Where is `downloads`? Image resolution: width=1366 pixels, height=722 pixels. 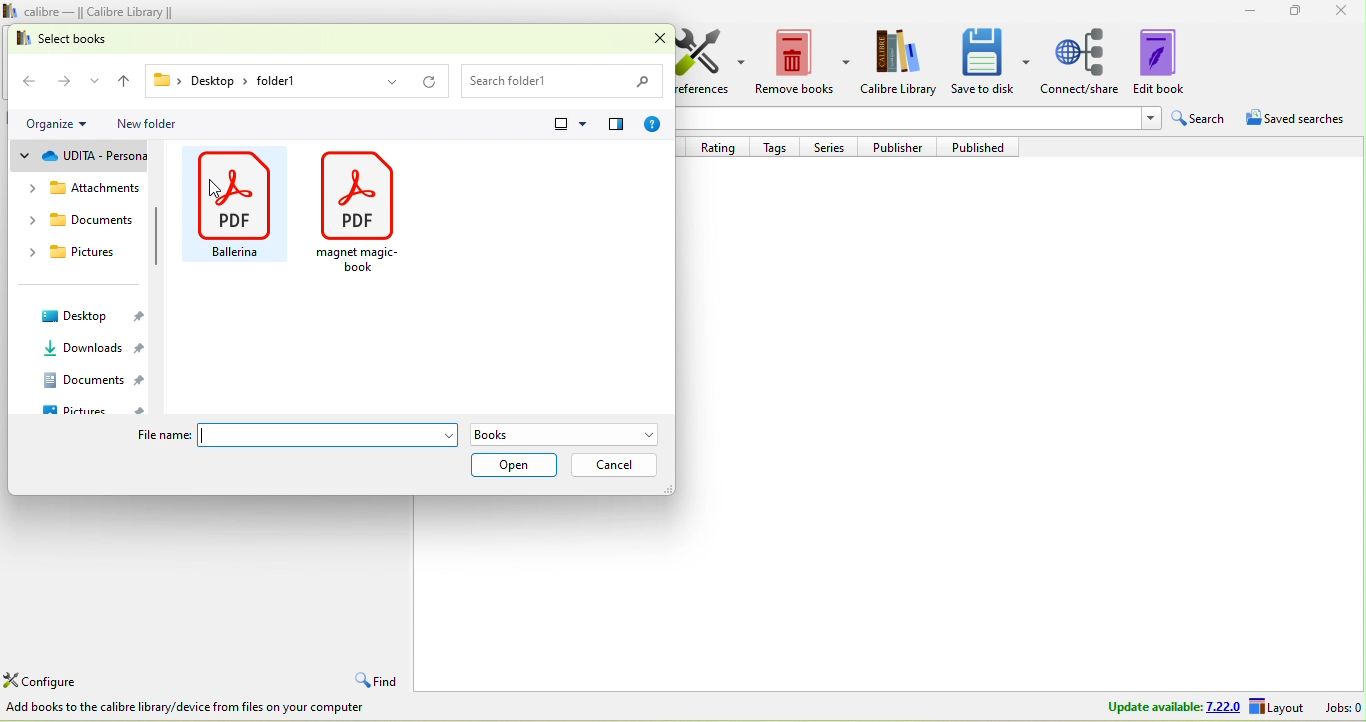
downloads is located at coordinates (84, 349).